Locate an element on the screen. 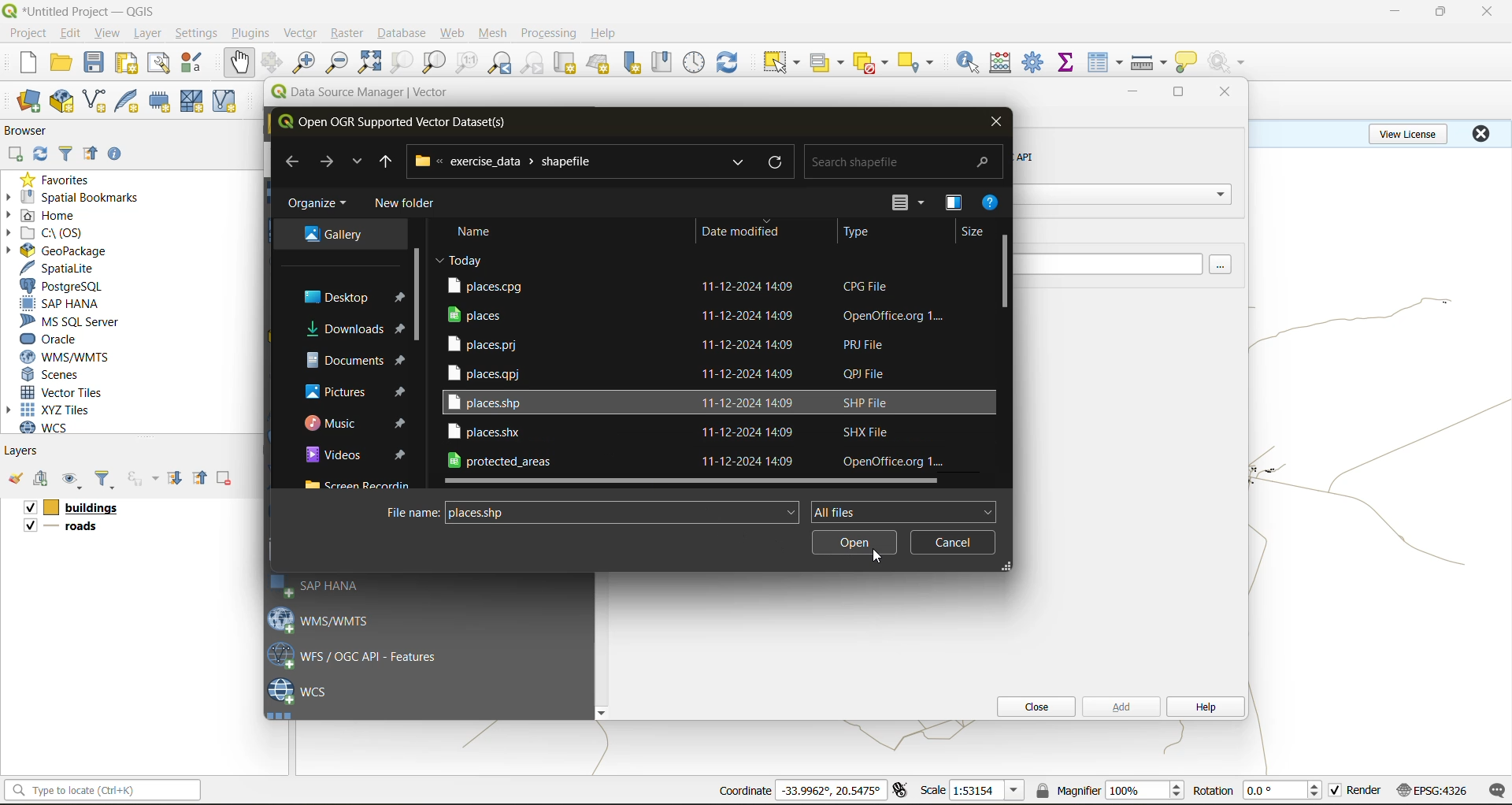 The width and height of the screenshot is (1512, 805). organize is located at coordinates (319, 206).